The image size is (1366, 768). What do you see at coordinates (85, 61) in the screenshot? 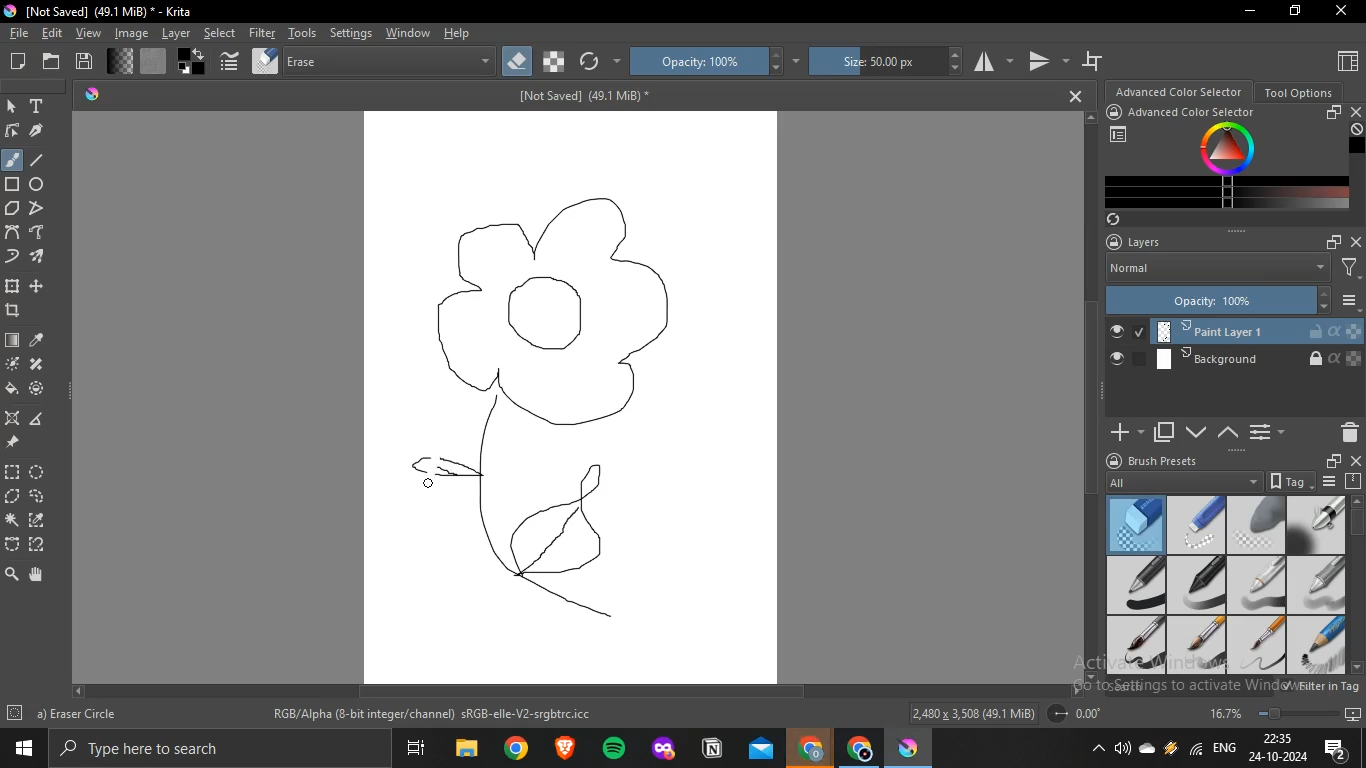
I see `save ` at bounding box center [85, 61].